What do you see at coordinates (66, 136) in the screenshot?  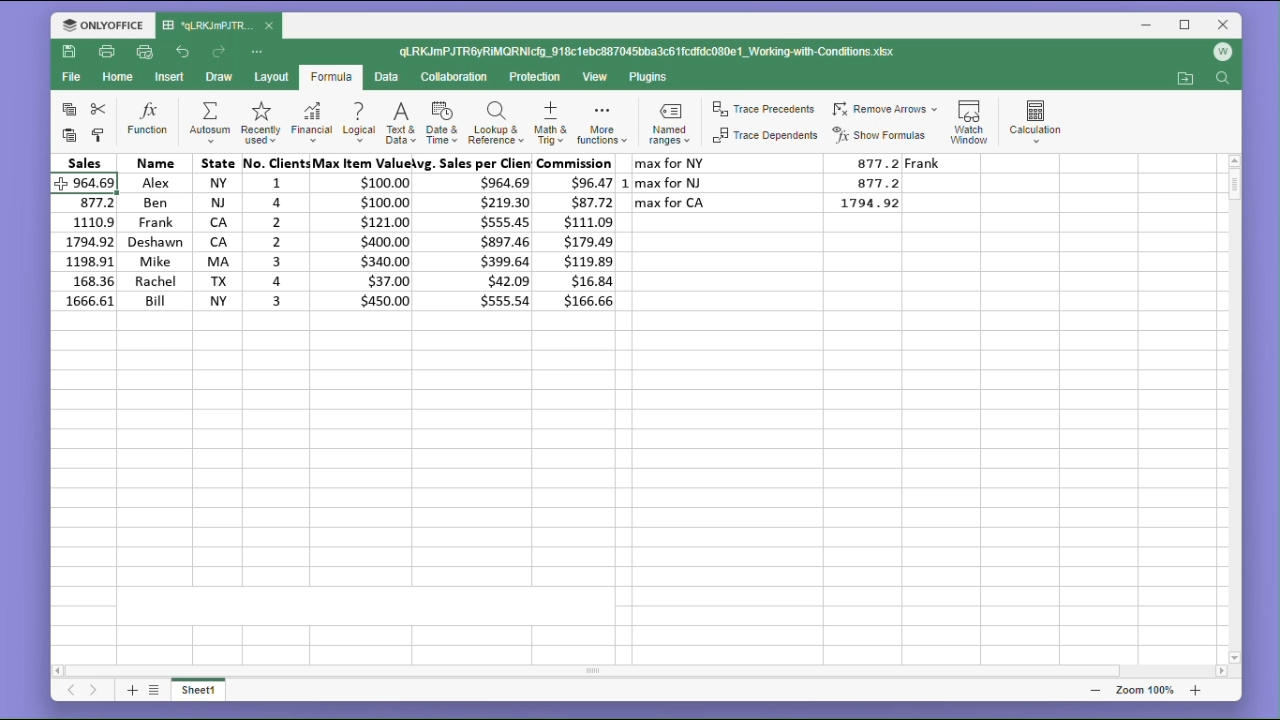 I see `paste` at bounding box center [66, 136].